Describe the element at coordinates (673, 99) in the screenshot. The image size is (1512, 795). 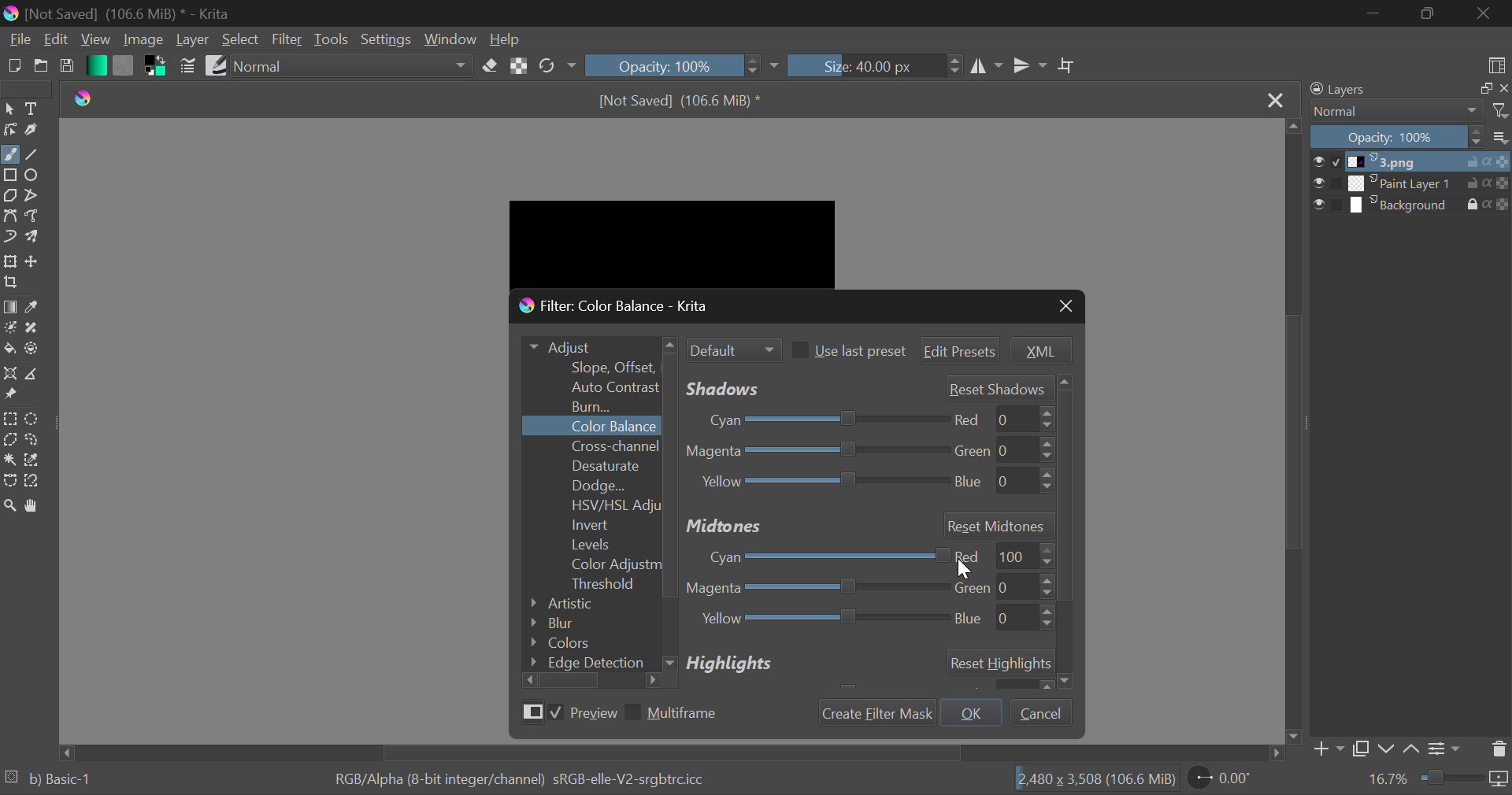
I see `[Not Saved] (106.6 MiB) *` at that location.